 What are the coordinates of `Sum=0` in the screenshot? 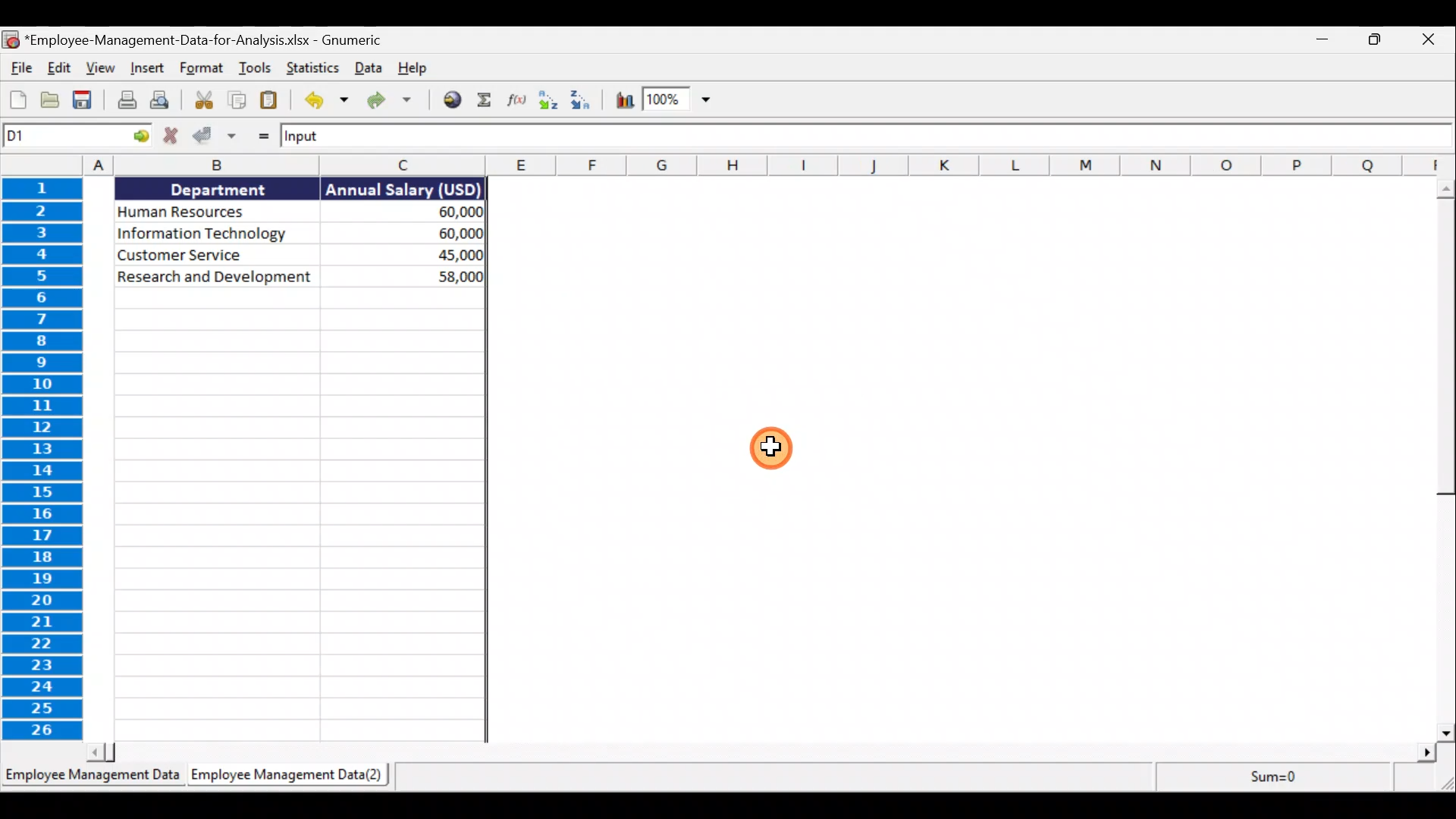 It's located at (1305, 780).